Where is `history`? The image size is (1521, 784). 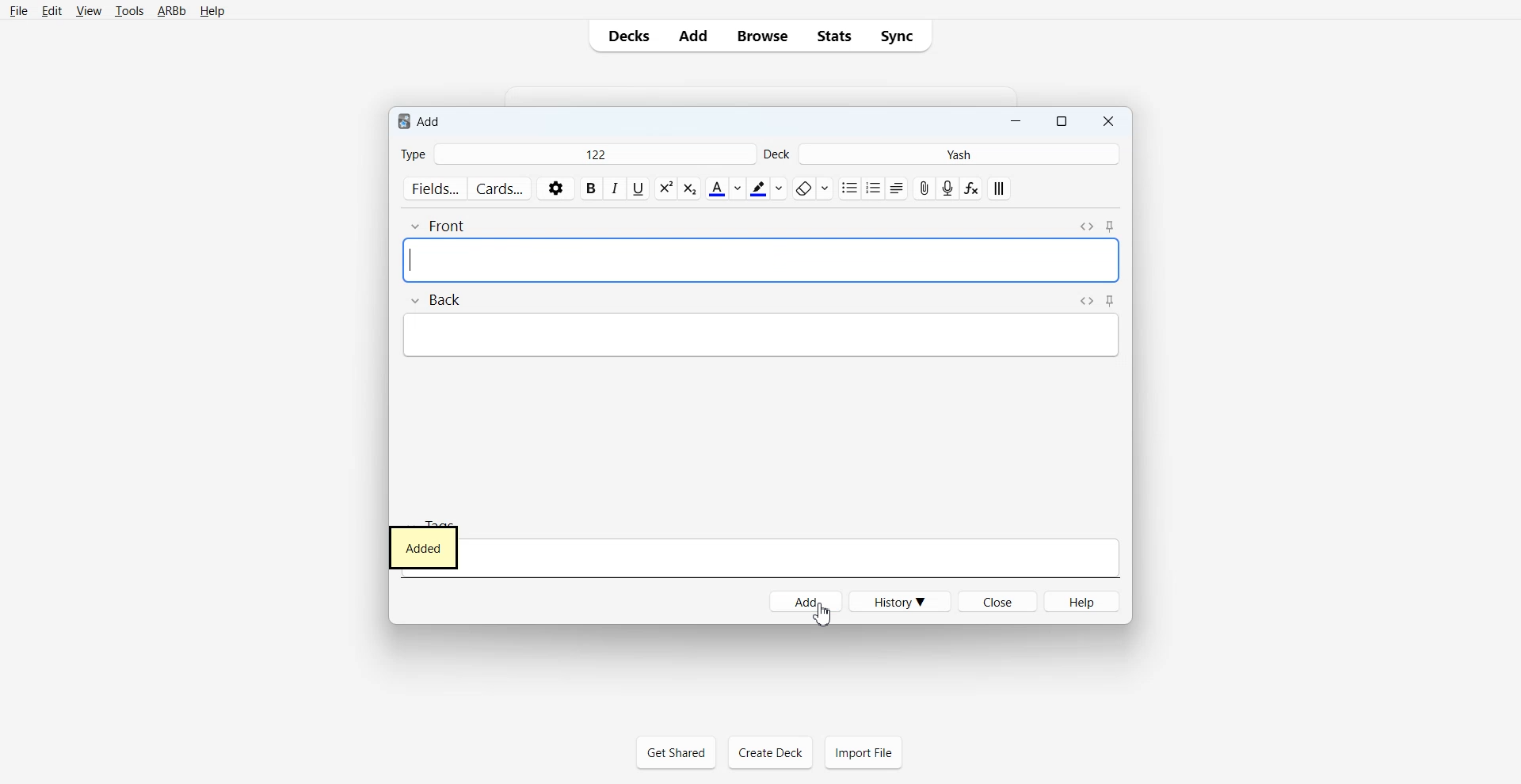 history is located at coordinates (905, 605).